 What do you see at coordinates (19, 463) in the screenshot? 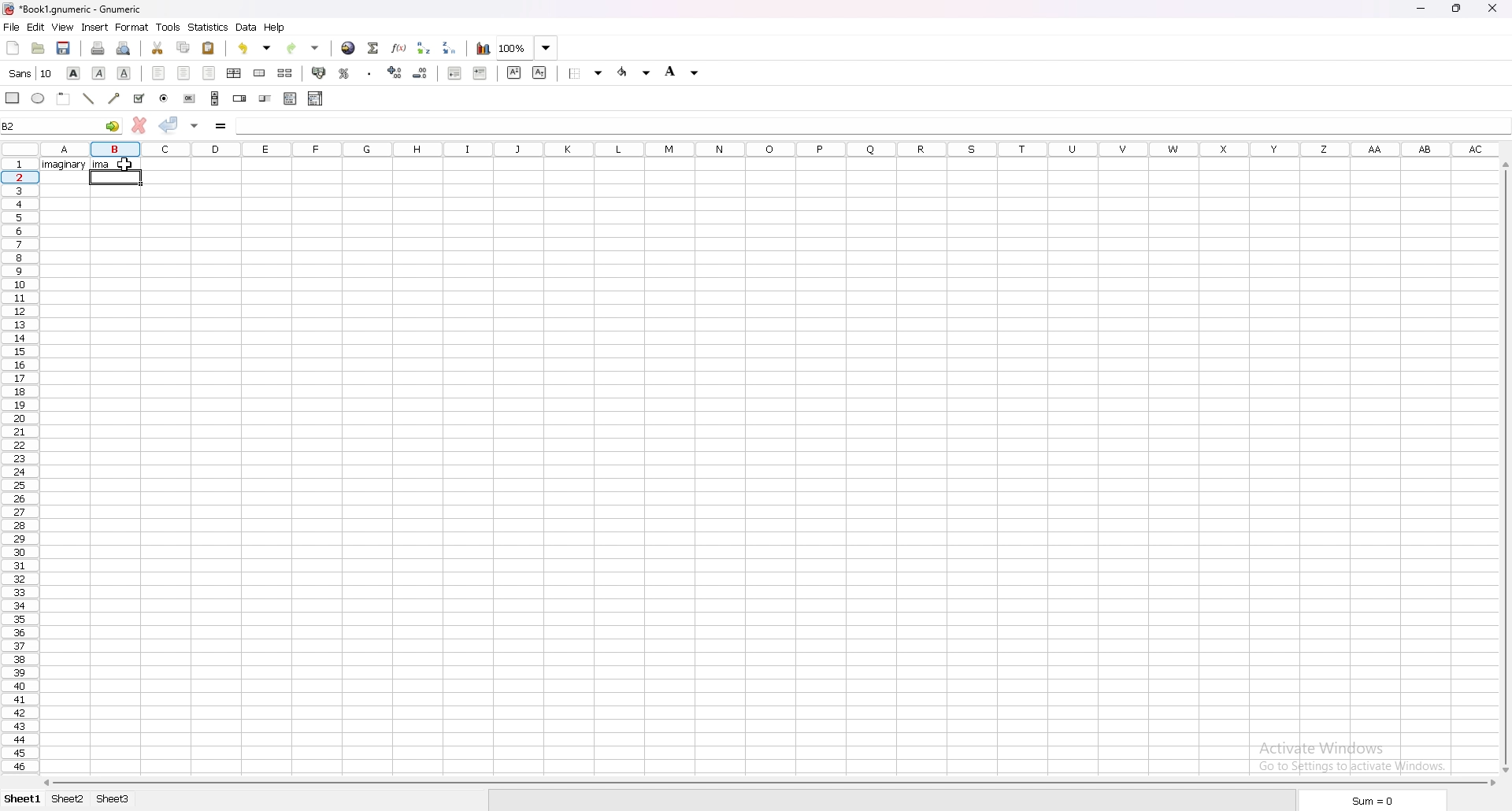
I see `rows` at bounding box center [19, 463].